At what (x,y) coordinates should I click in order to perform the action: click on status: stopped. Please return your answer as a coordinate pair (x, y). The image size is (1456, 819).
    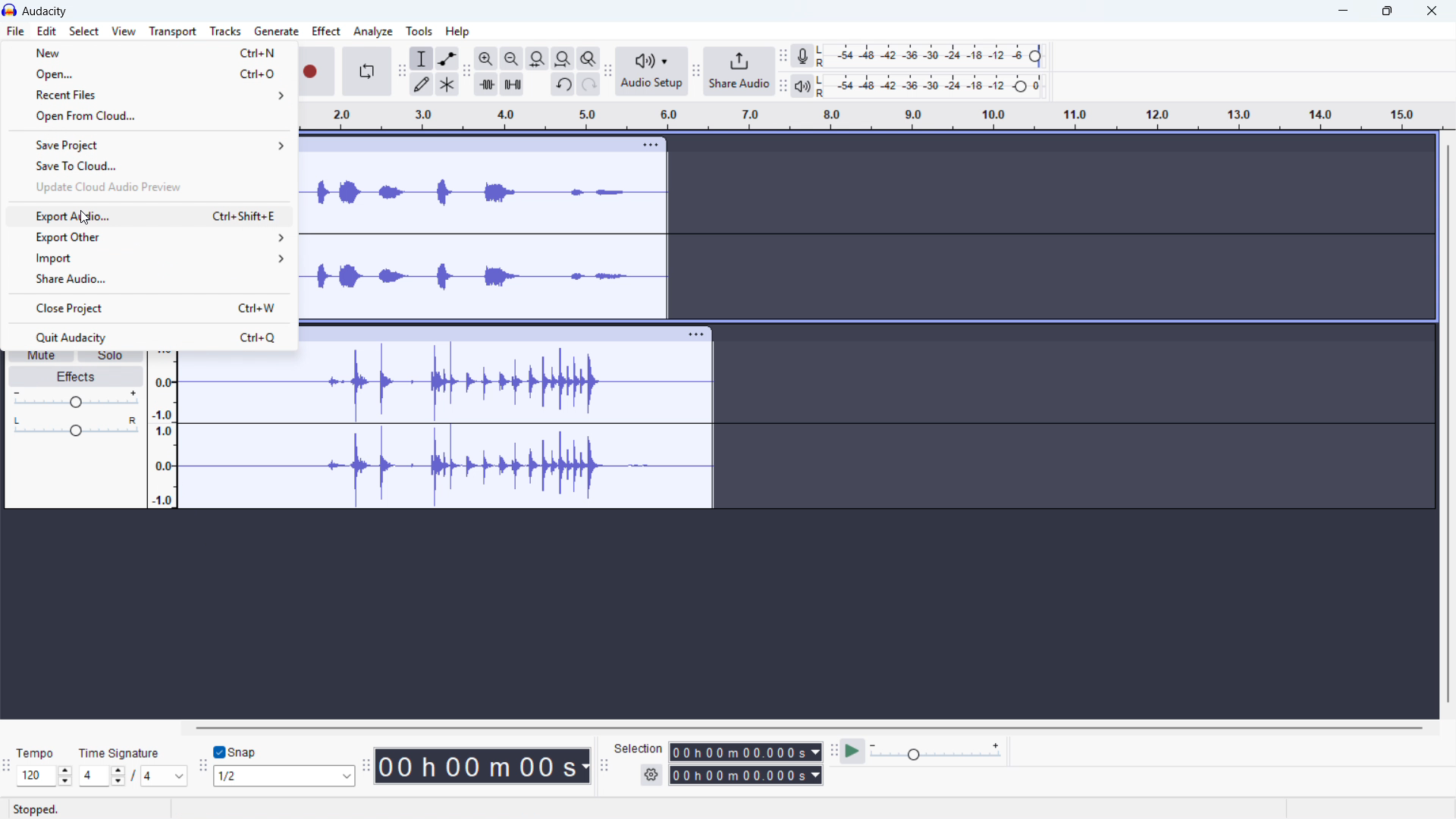
    Looking at the image, I should click on (36, 810).